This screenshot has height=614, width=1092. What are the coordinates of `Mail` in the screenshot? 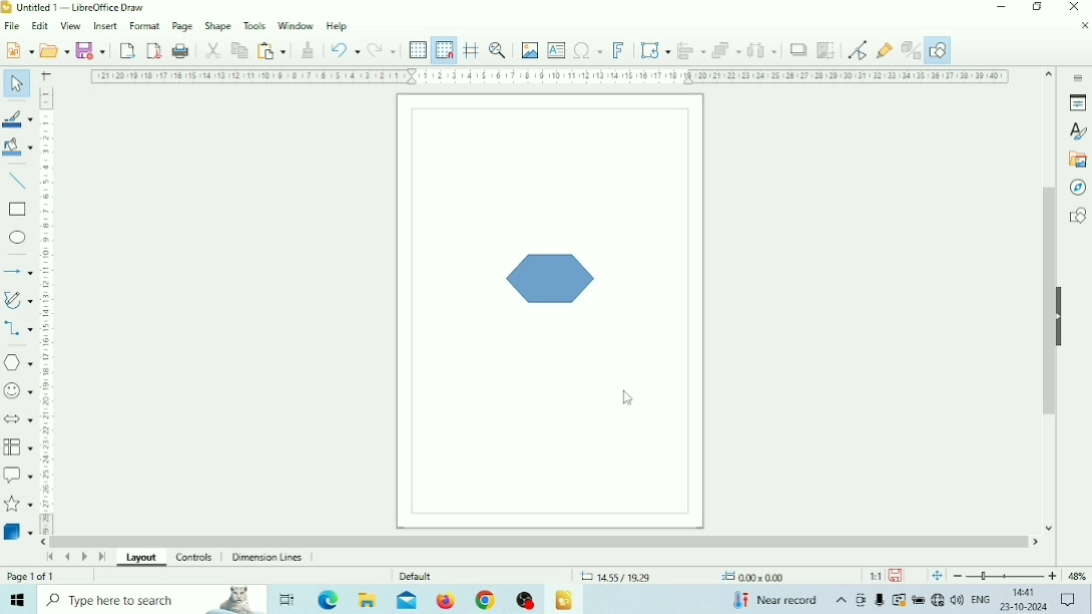 It's located at (407, 600).